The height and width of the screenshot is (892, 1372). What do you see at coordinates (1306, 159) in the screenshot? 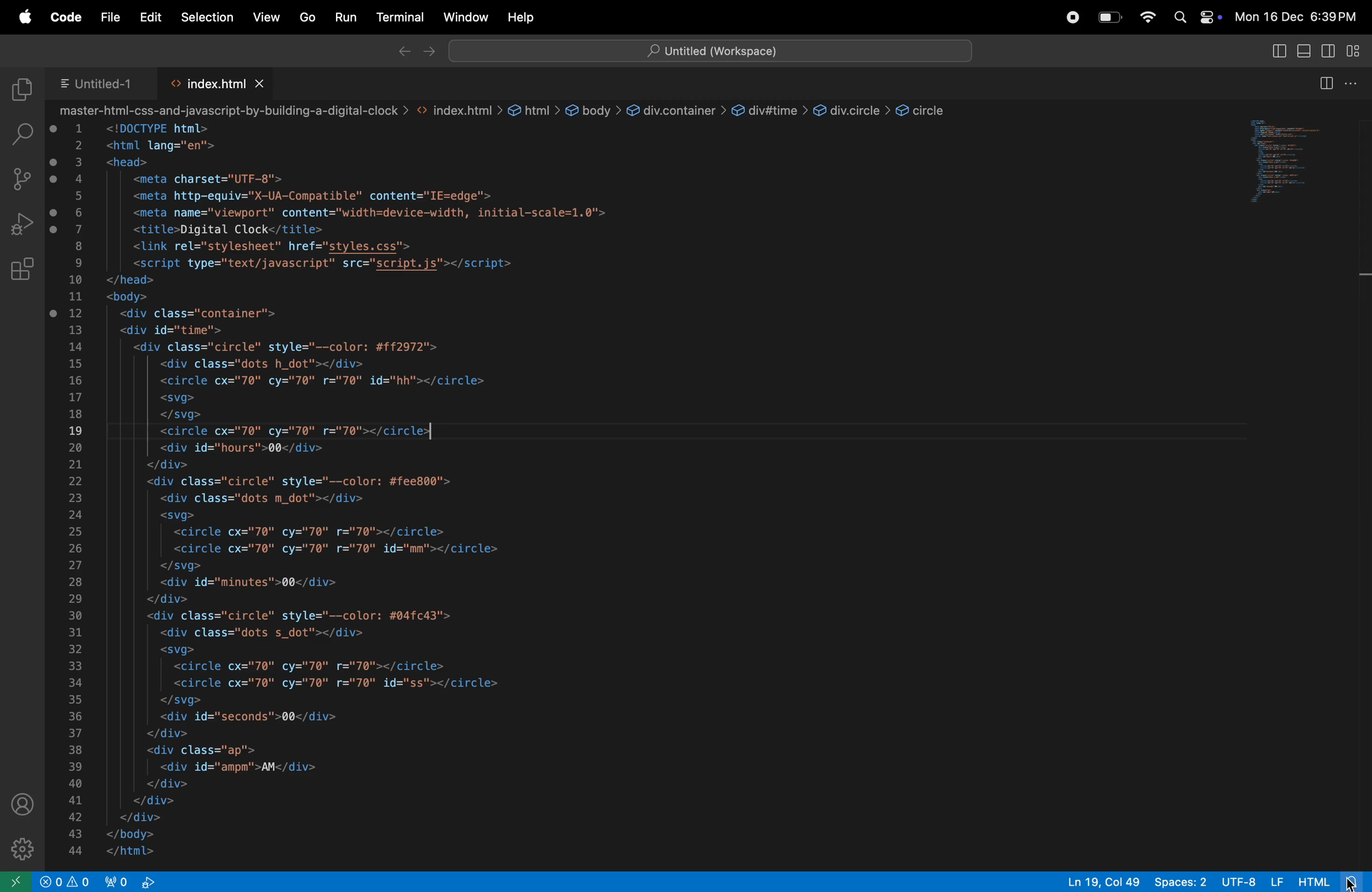
I see `code window` at bounding box center [1306, 159].